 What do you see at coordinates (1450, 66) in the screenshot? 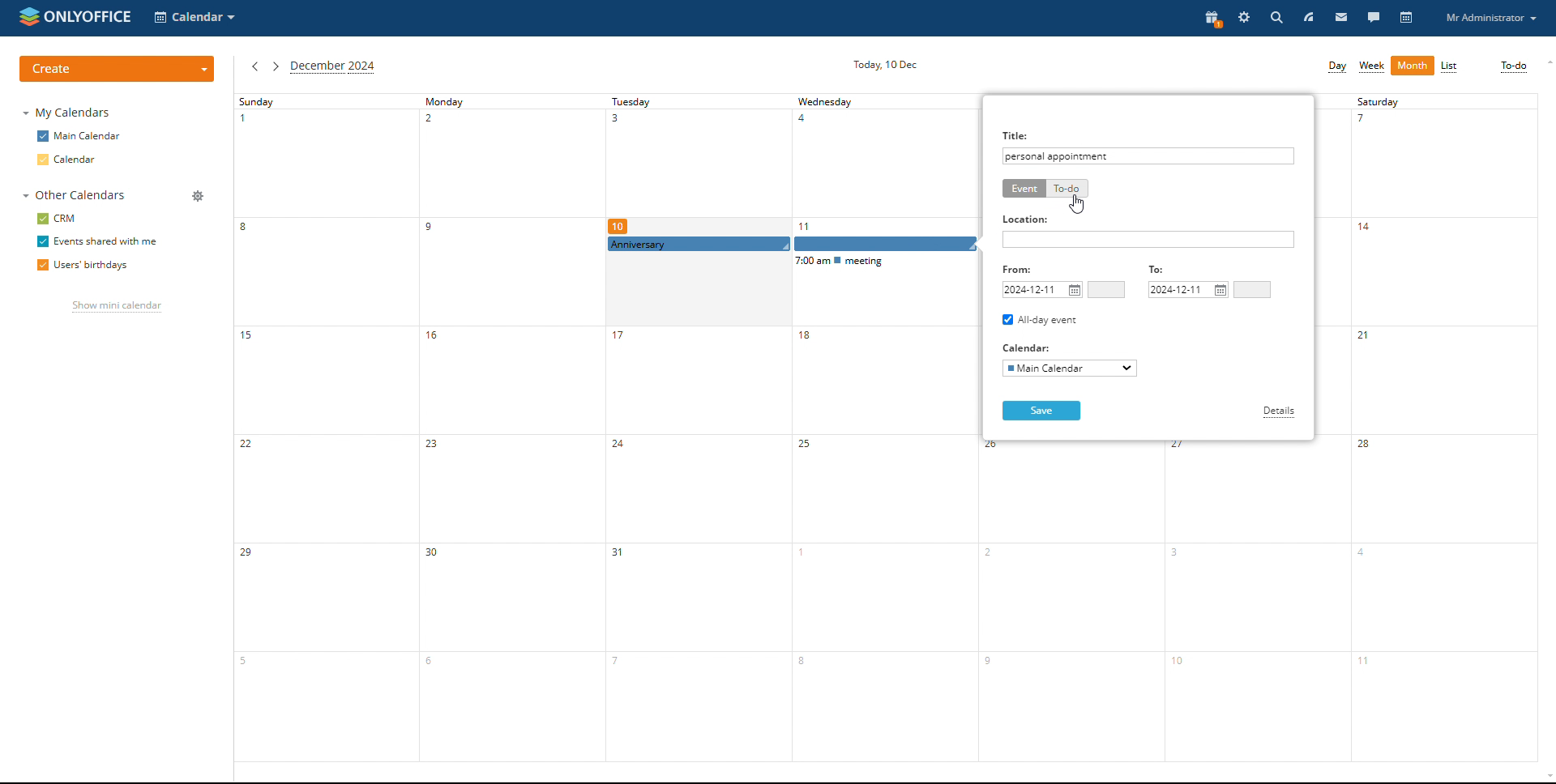
I see `list view` at bounding box center [1450, 66].